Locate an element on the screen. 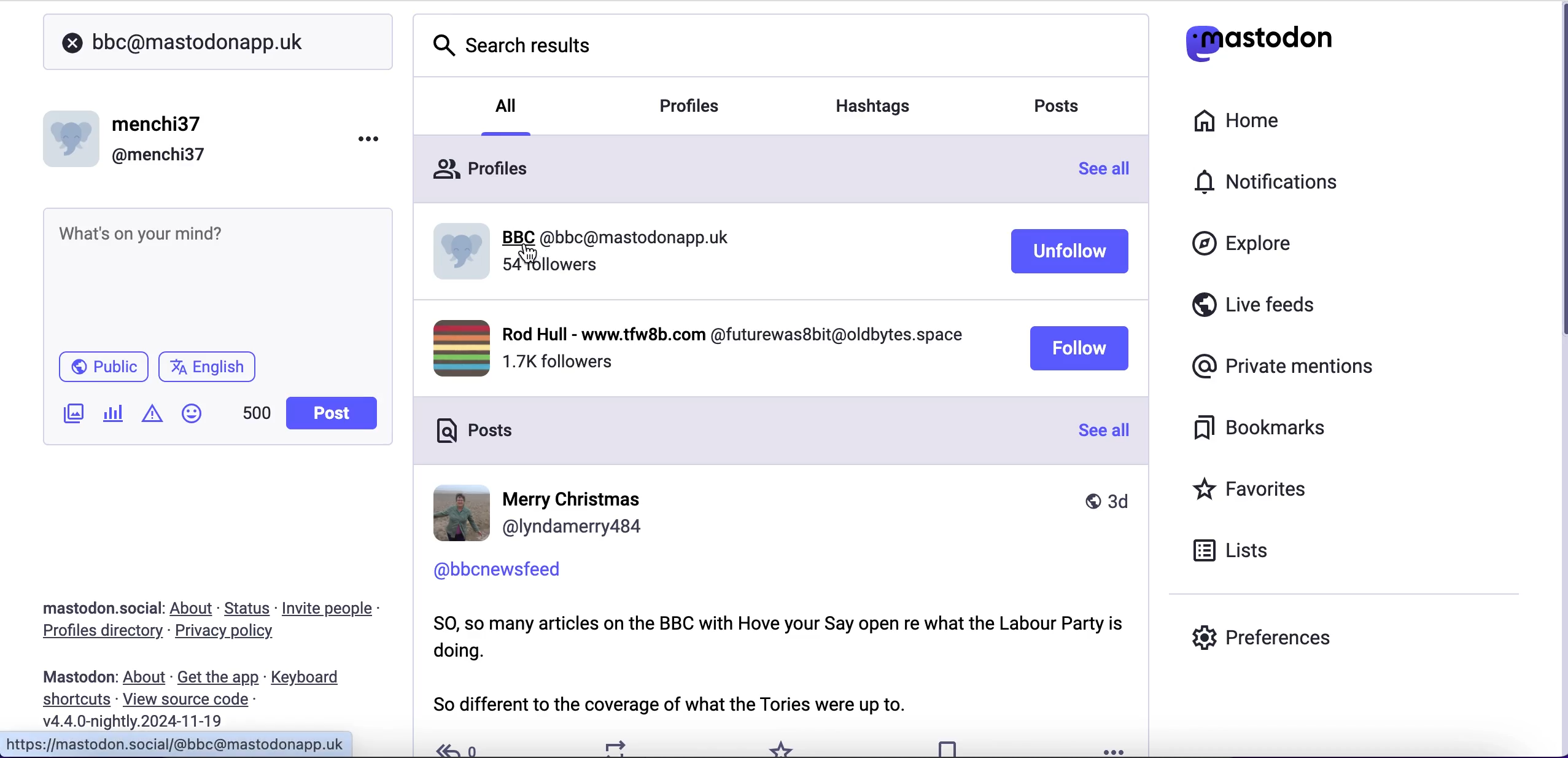  mastodon logo is located at coordinates (1259, 40).